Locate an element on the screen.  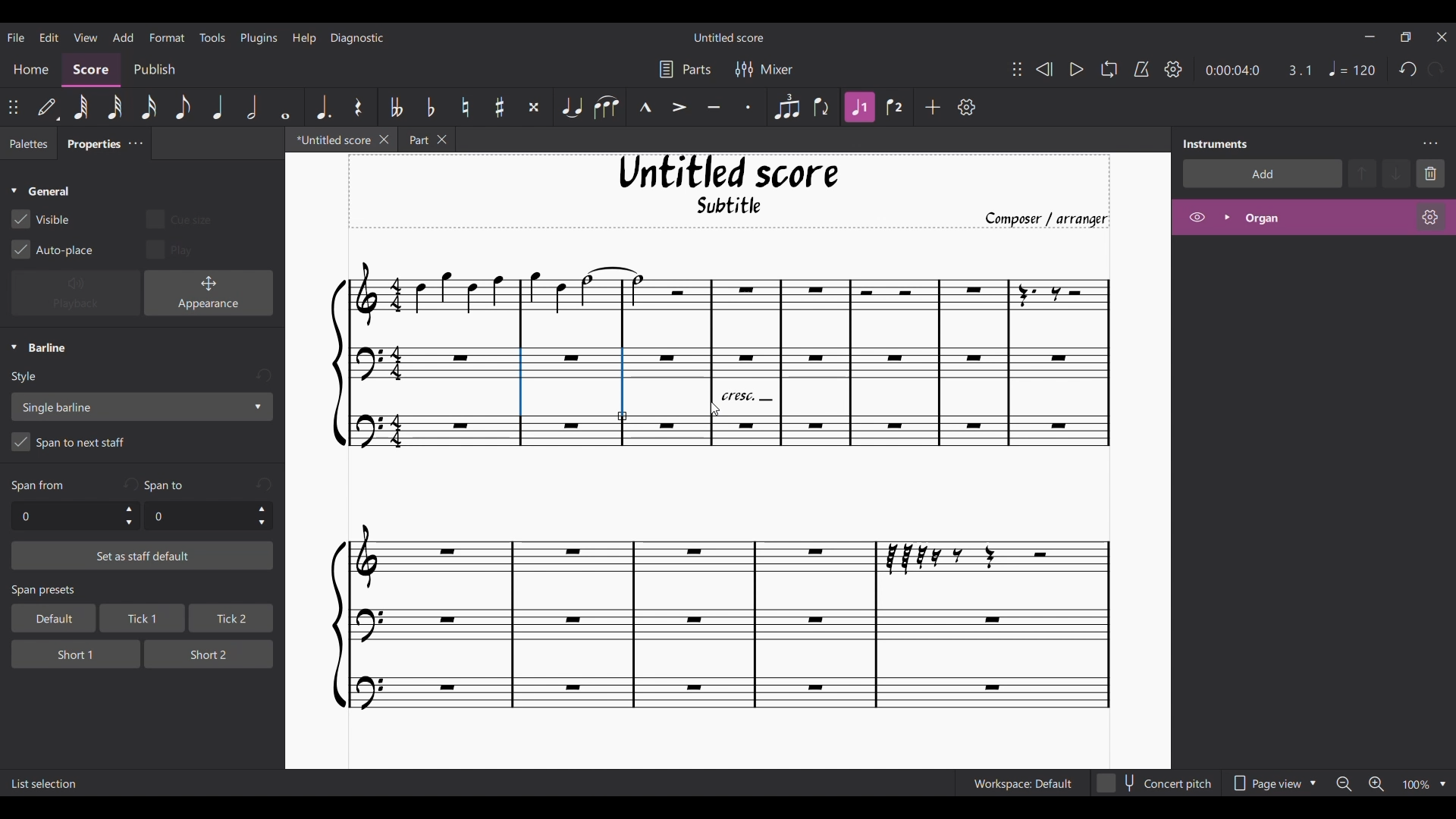
Close current tab is located at coordinates (384, 139).